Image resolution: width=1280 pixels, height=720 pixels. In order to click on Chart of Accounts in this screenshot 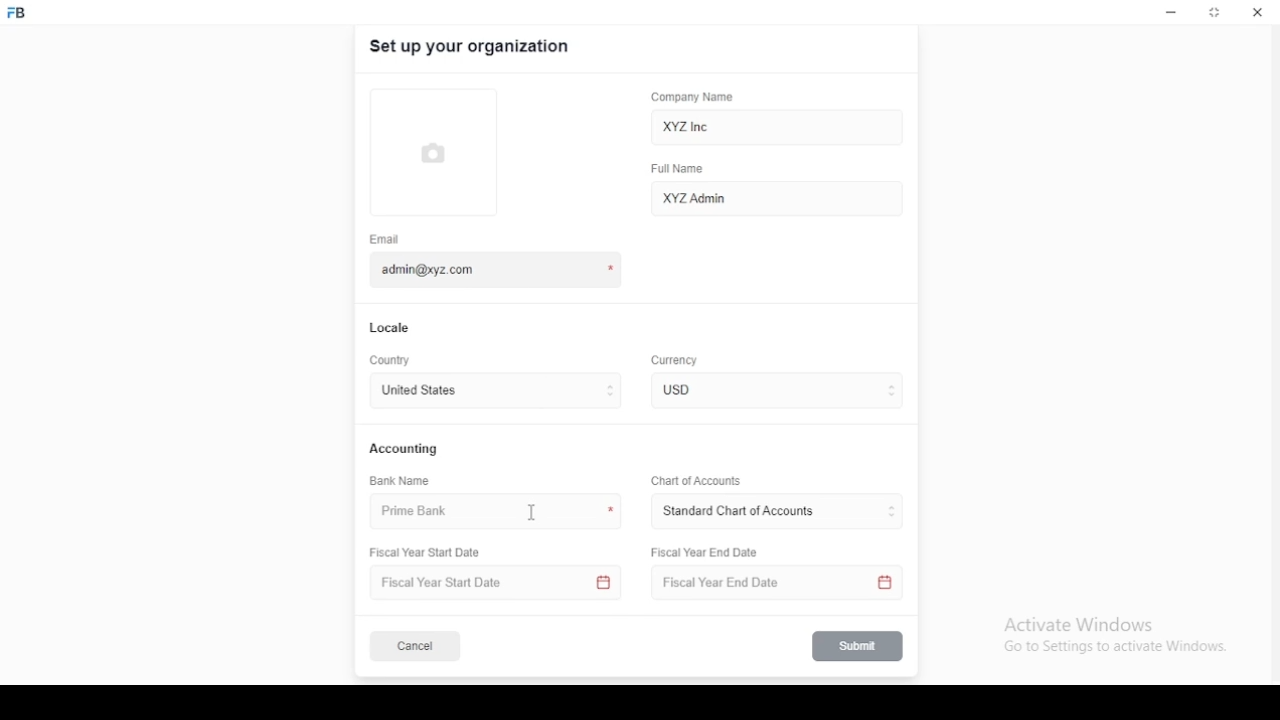, I will do `click(693, 480)`.